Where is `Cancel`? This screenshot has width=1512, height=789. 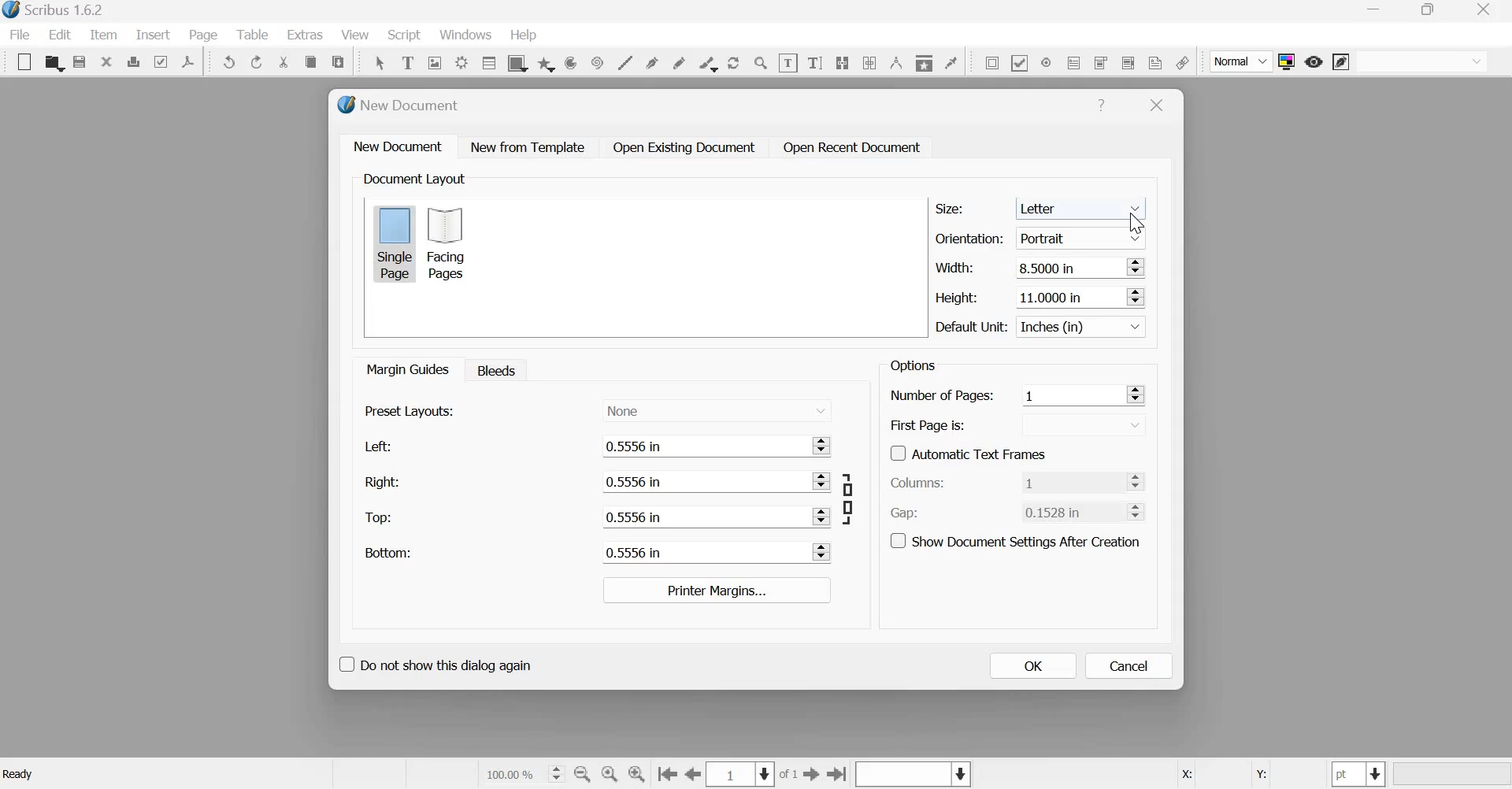
Cancel is located at coordinates (1129, 666).